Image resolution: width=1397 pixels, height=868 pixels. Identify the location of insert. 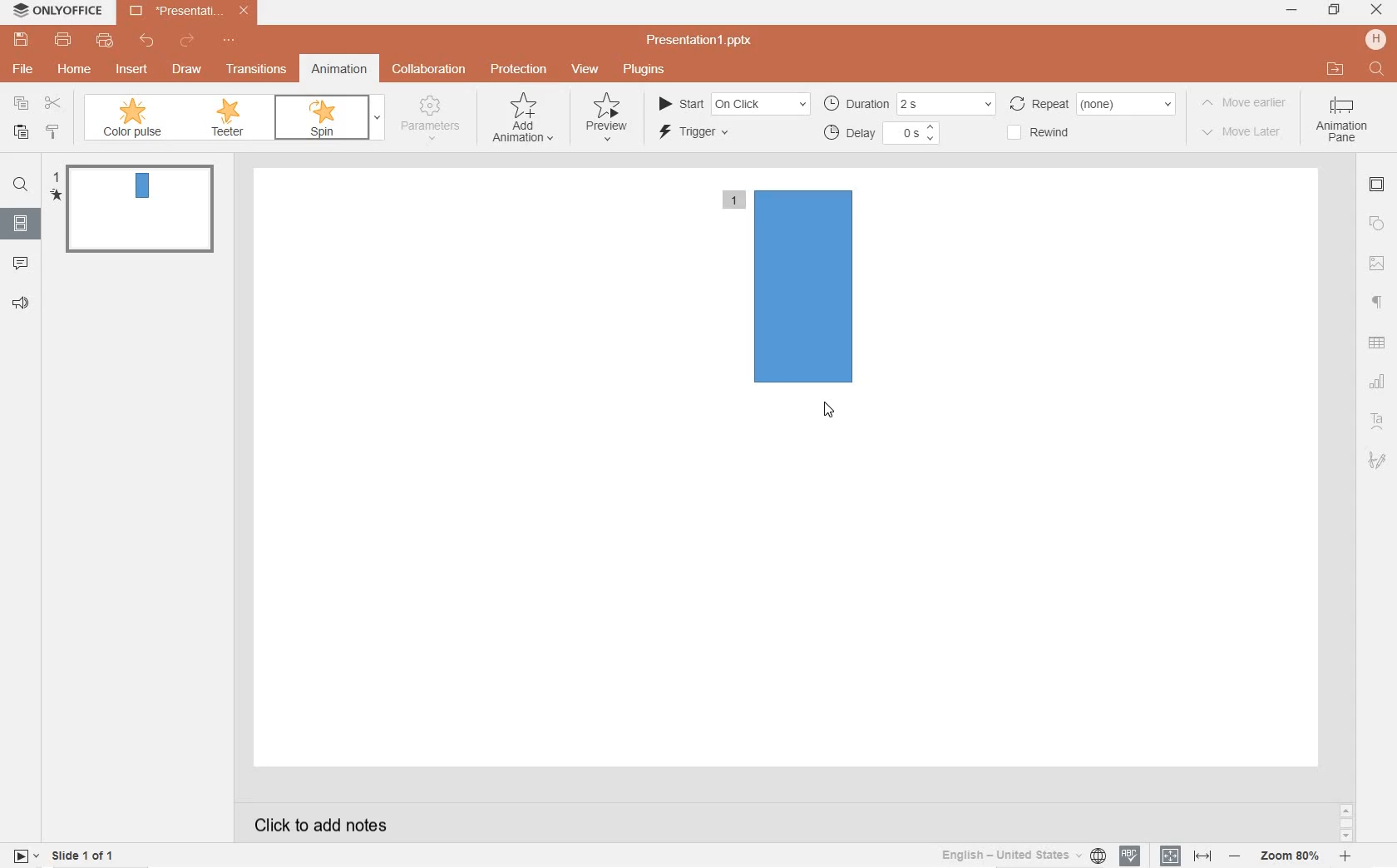
(135, 74).